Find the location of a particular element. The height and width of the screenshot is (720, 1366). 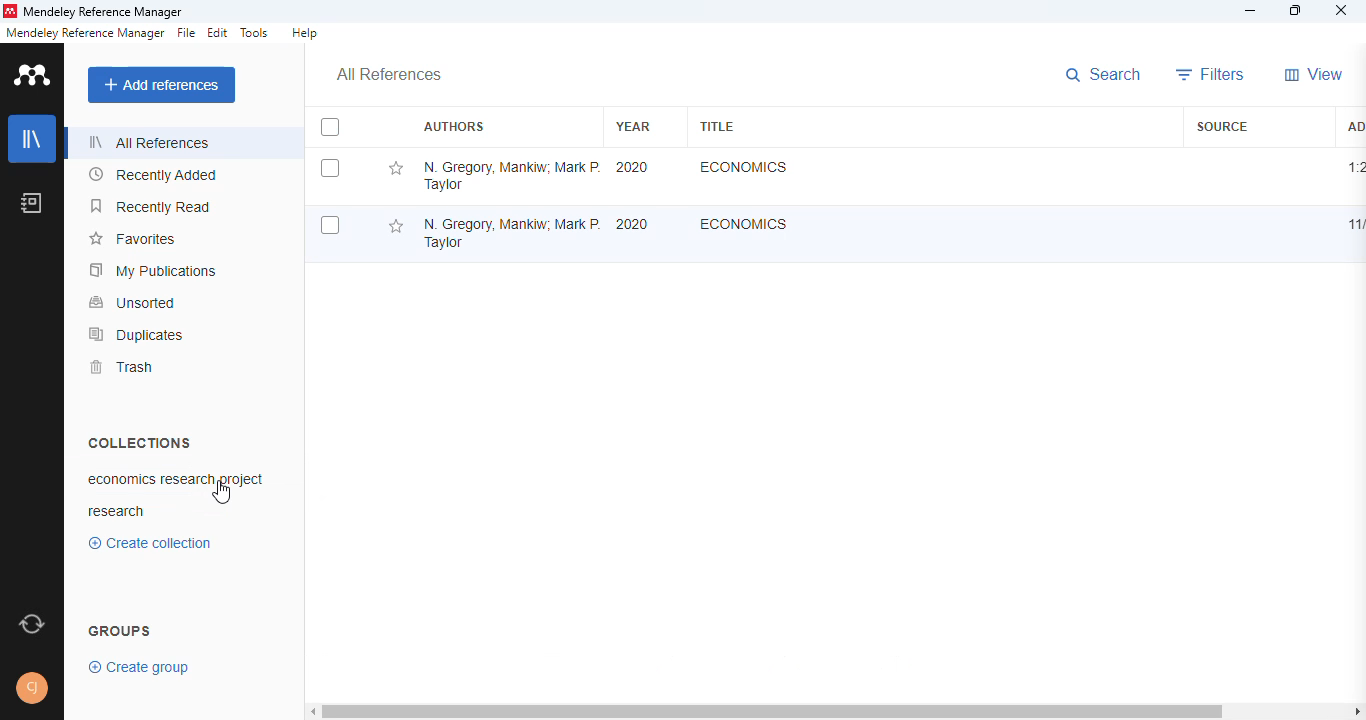

1:20 is located at coordinates (1355, 167).